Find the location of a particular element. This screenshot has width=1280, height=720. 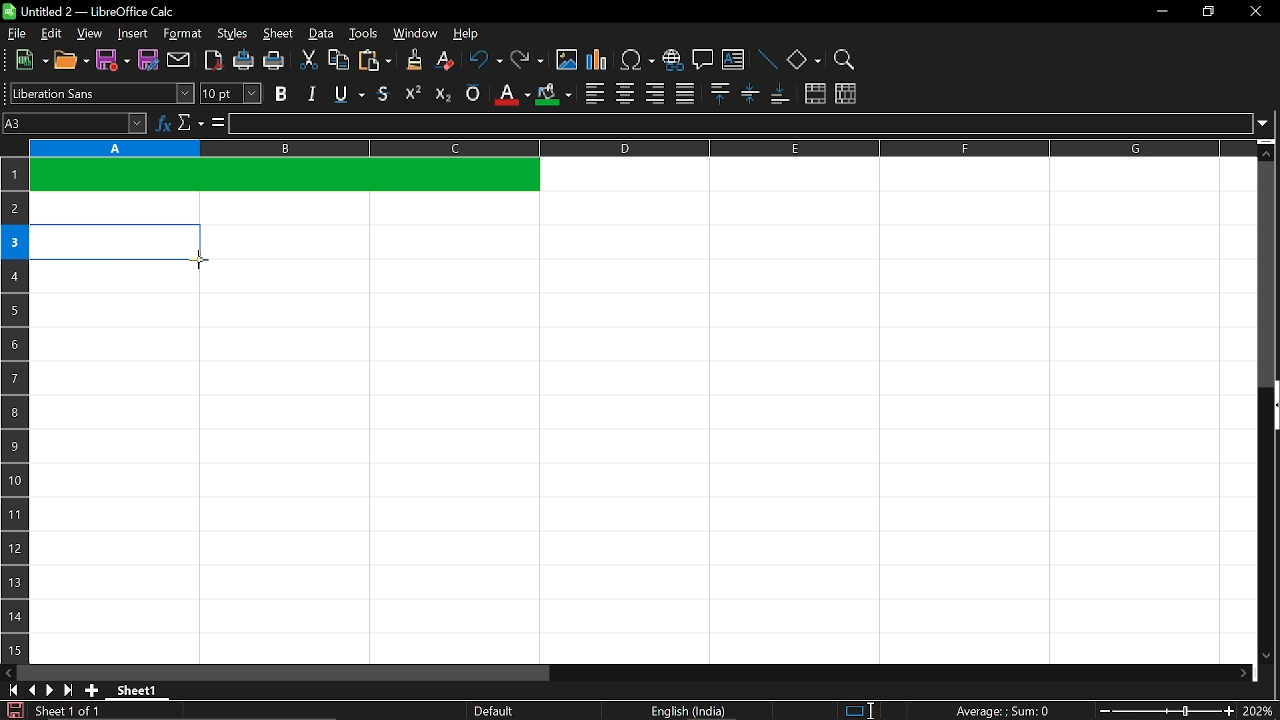

export as pdf is located at coordinates (210, 60).